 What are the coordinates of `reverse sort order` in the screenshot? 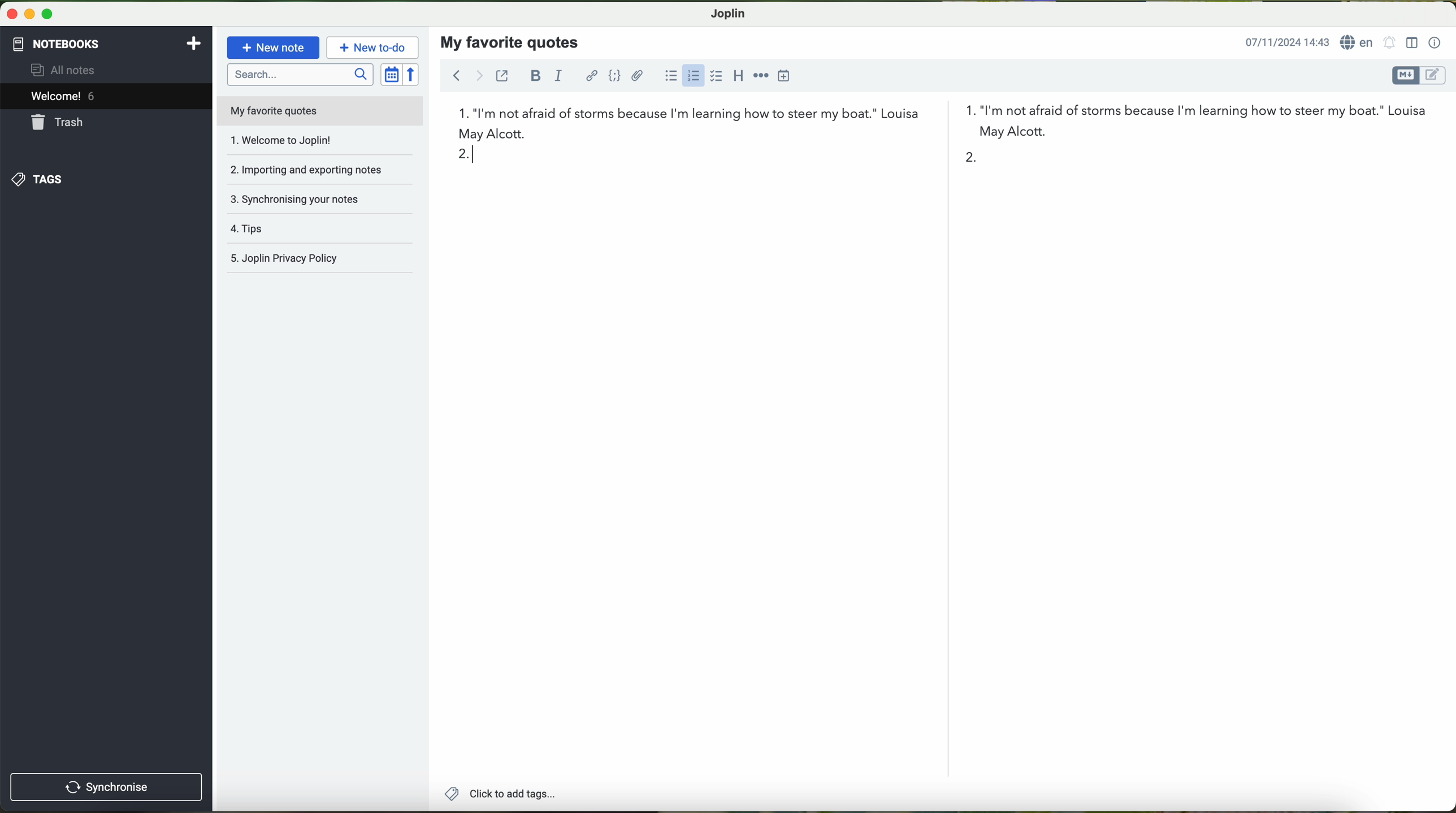 It's located at (412, 75).